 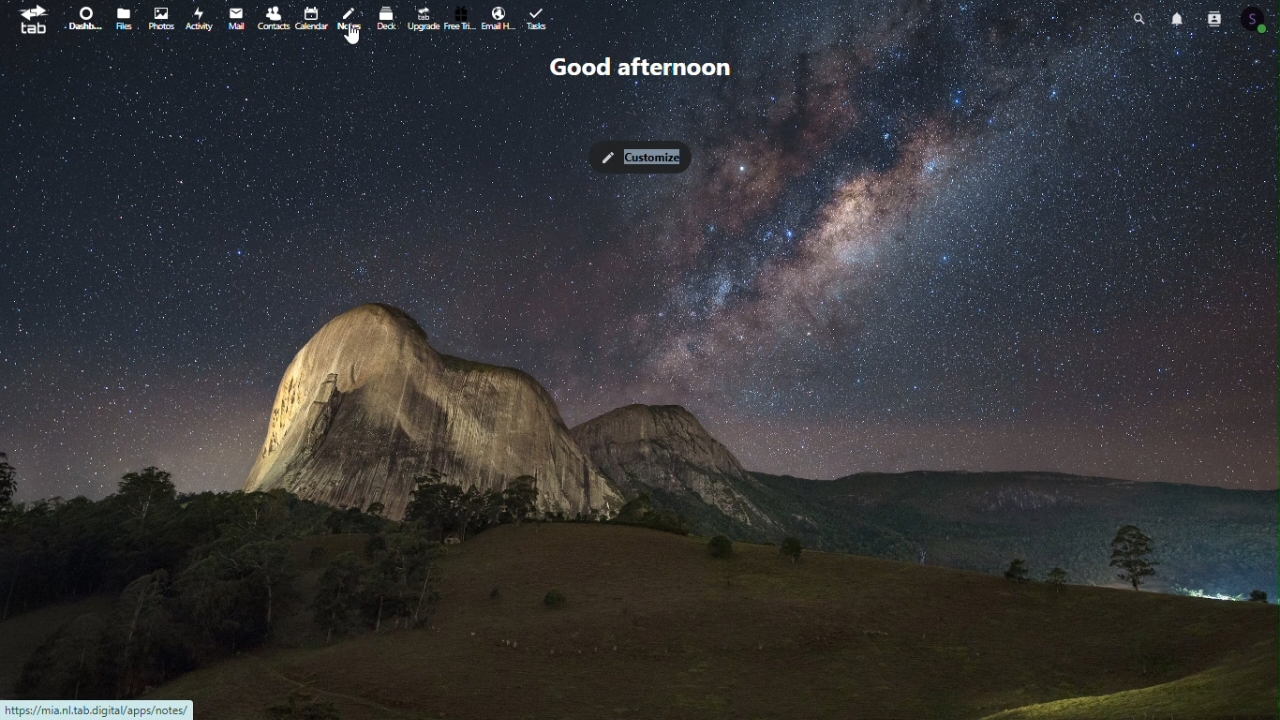 I want to click on Free trial, so click(x=465, y=18).